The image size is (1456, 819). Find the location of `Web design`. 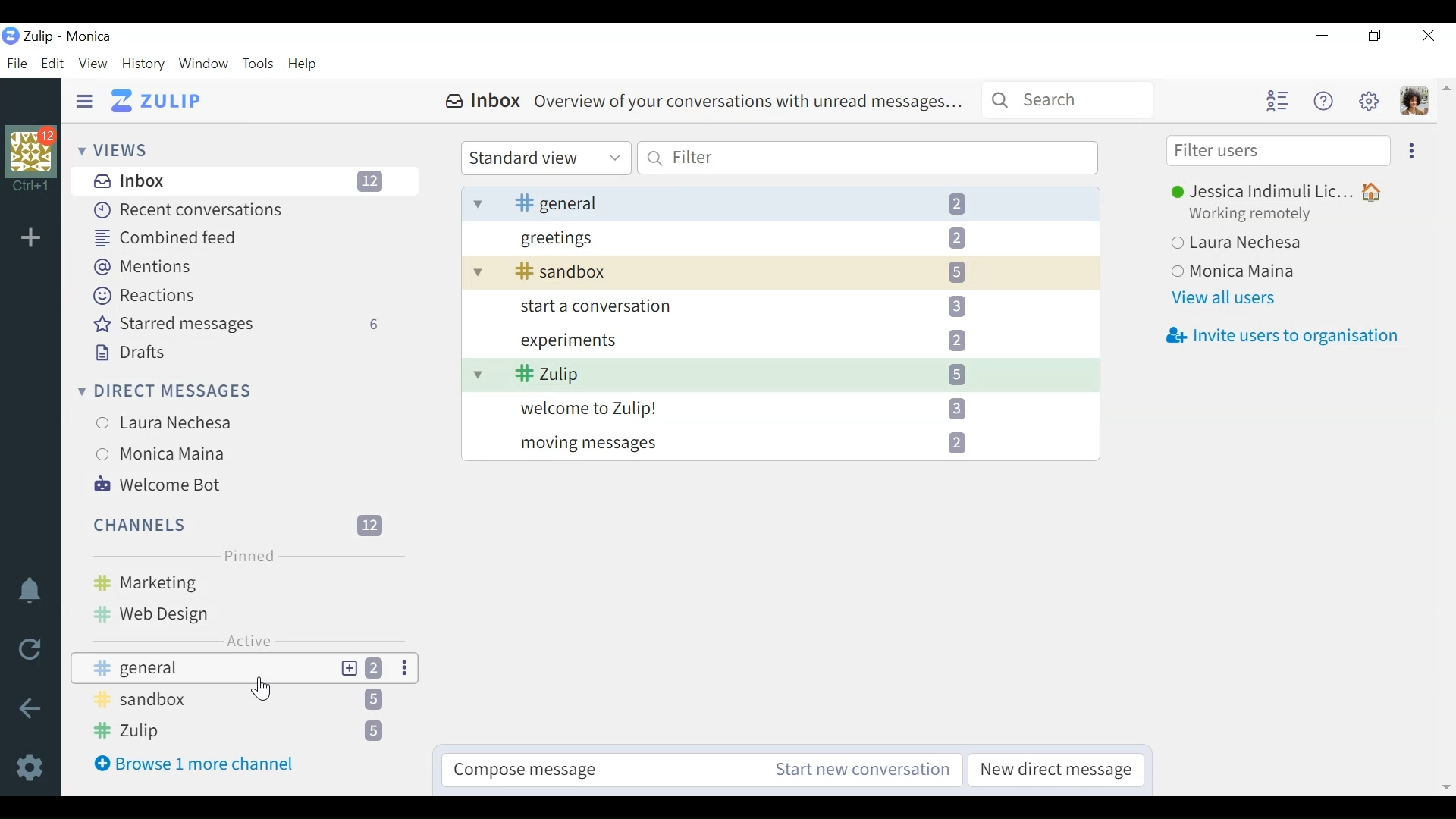

Web design is located at coordinates (240, 612).